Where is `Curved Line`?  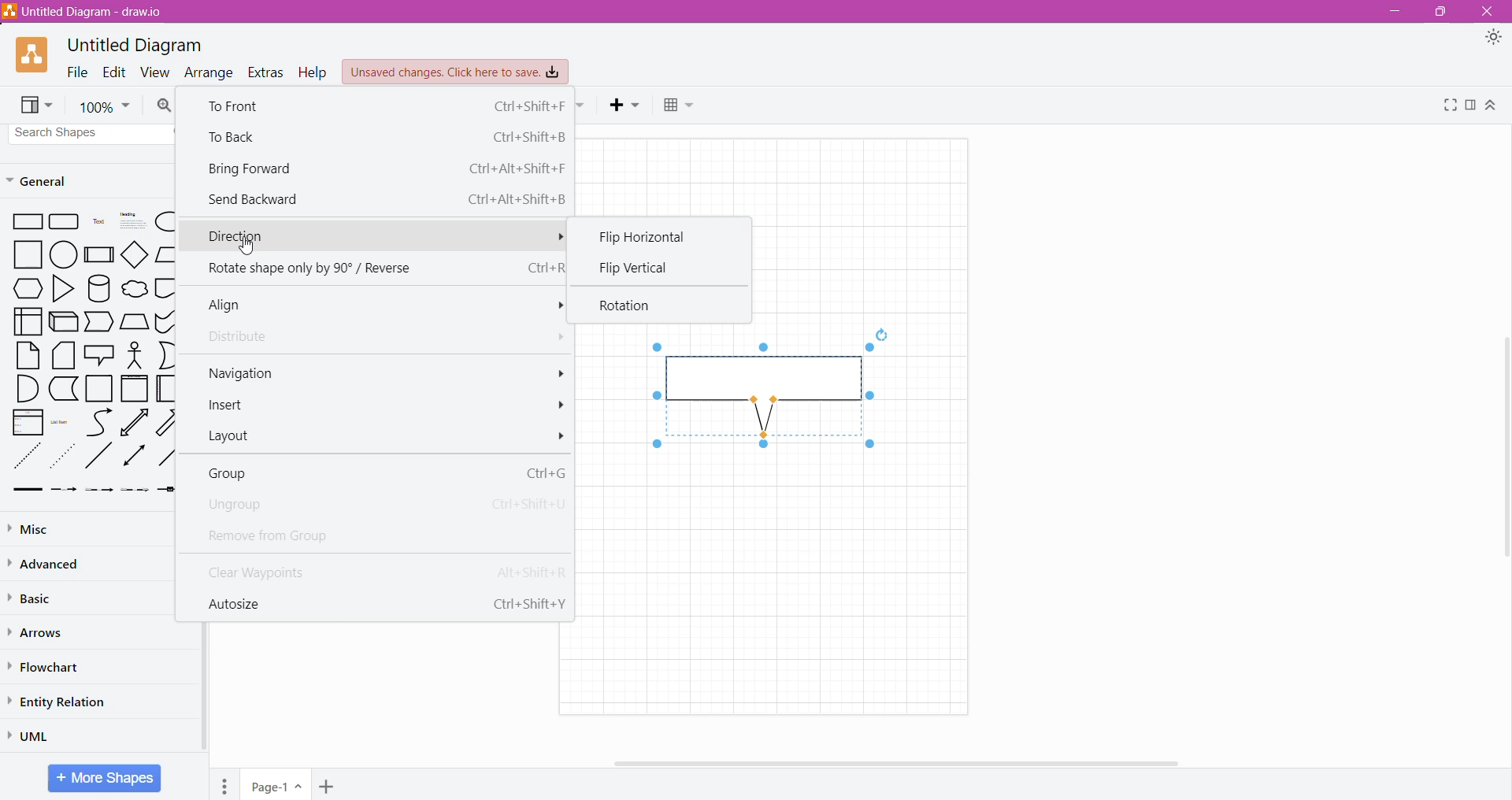
Curved Line is located at coordinates (98, 421).